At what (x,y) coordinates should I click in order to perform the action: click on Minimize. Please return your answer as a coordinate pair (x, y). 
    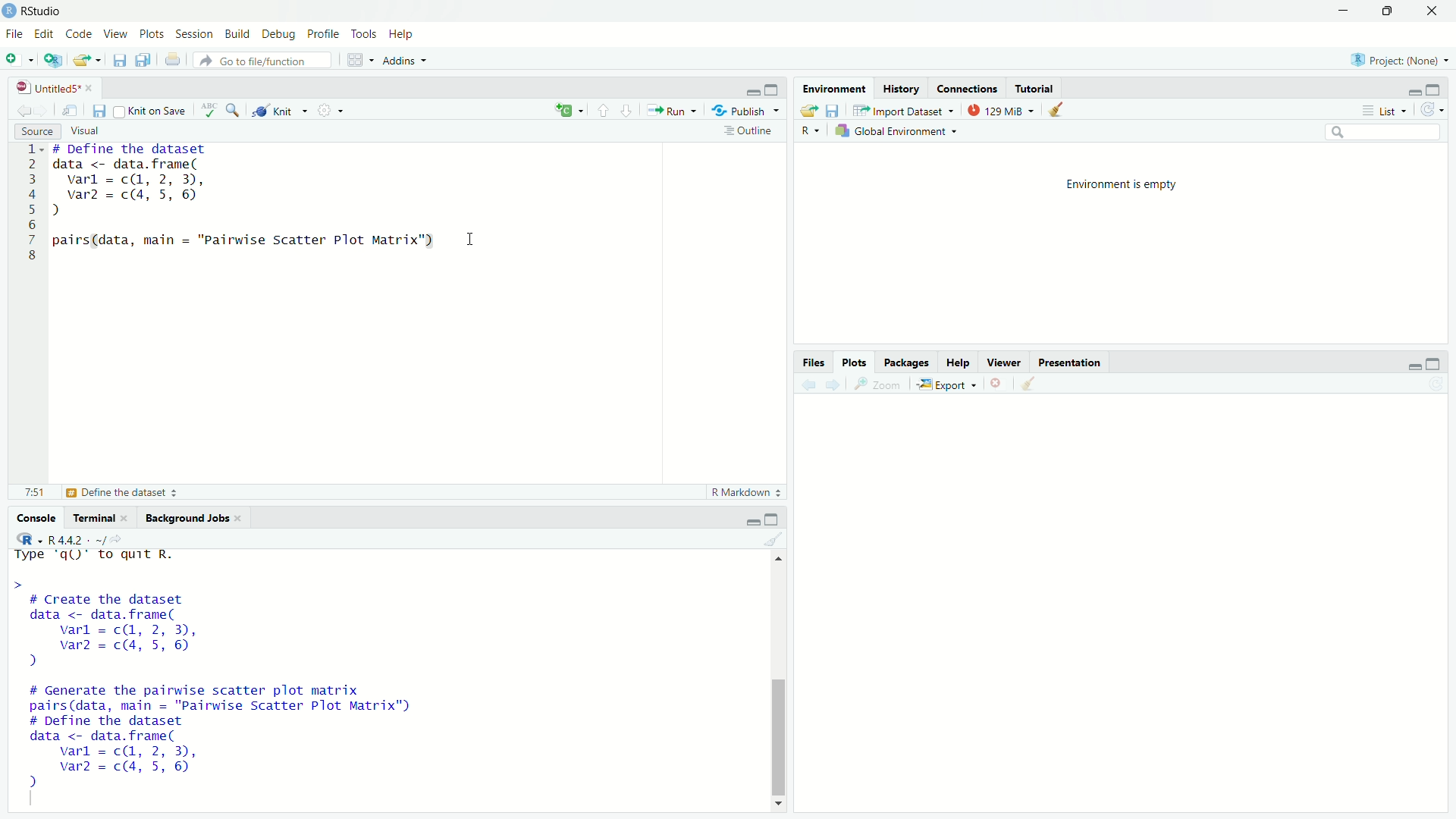
    Looking at the image, I should click on (1415, 93).